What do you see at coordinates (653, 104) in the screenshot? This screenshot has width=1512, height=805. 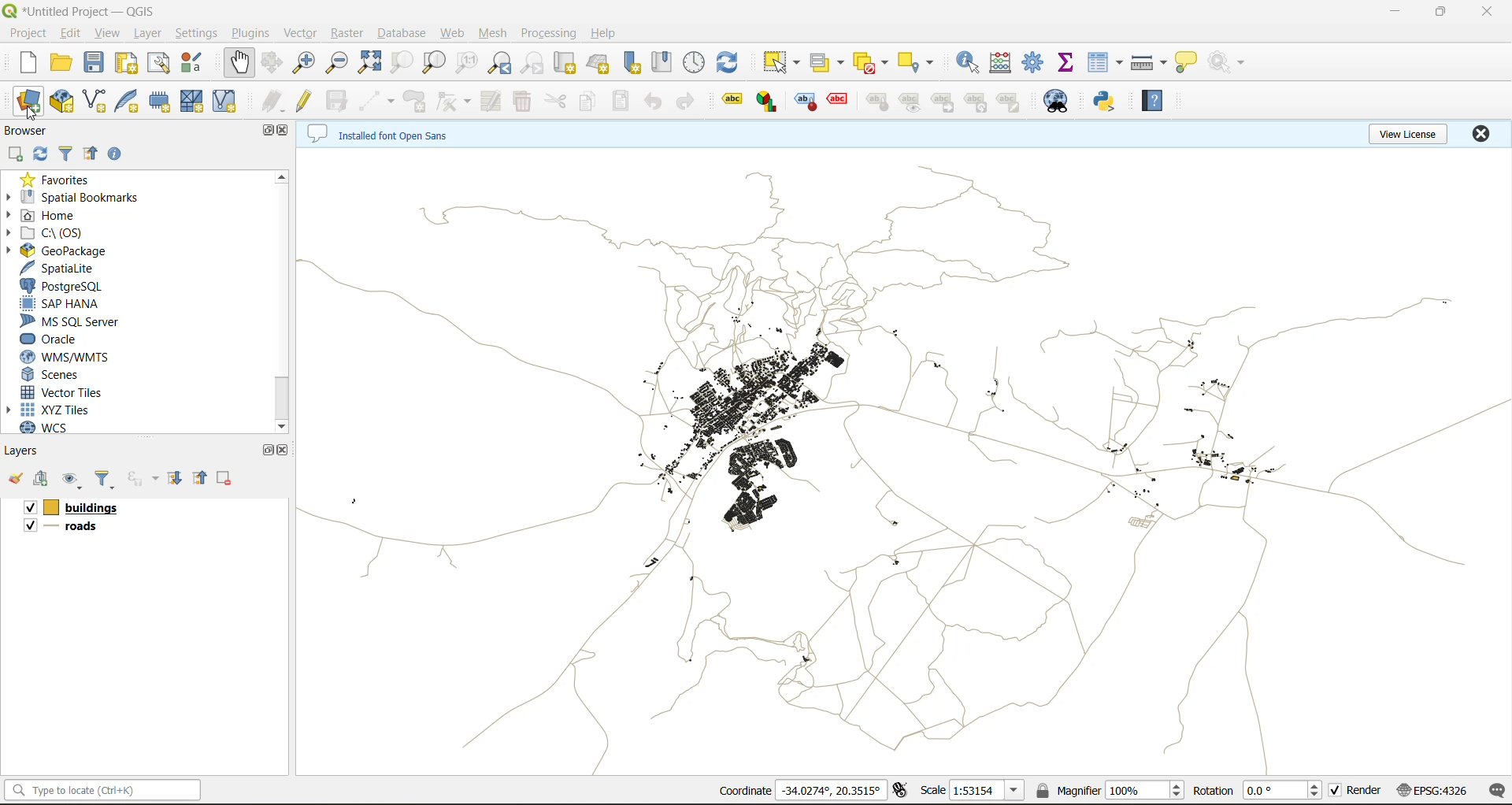 I see `undo` at bounding box center [653, 104].